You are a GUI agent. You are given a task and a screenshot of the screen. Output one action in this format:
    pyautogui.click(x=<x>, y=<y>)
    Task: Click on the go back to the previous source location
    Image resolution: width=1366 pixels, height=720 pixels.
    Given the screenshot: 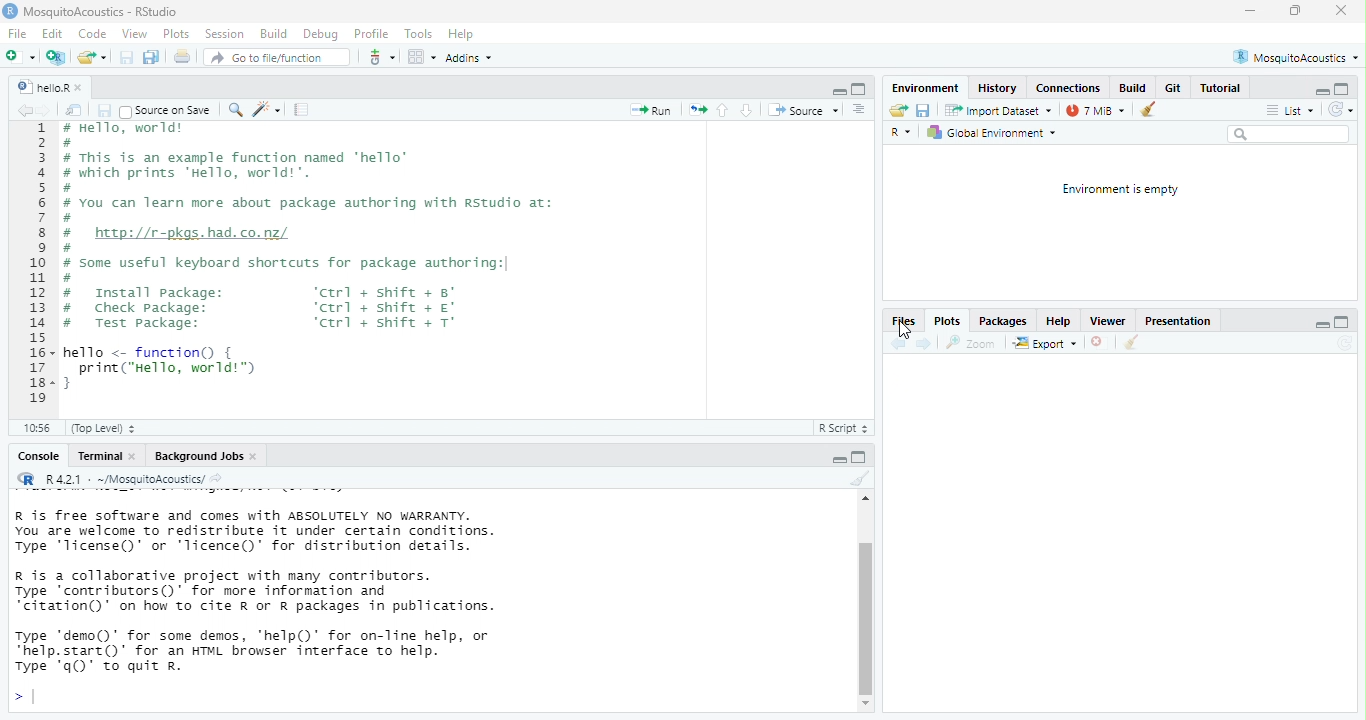 What is the action you would take?
    pyautogui.click(x=25, y=112)
    